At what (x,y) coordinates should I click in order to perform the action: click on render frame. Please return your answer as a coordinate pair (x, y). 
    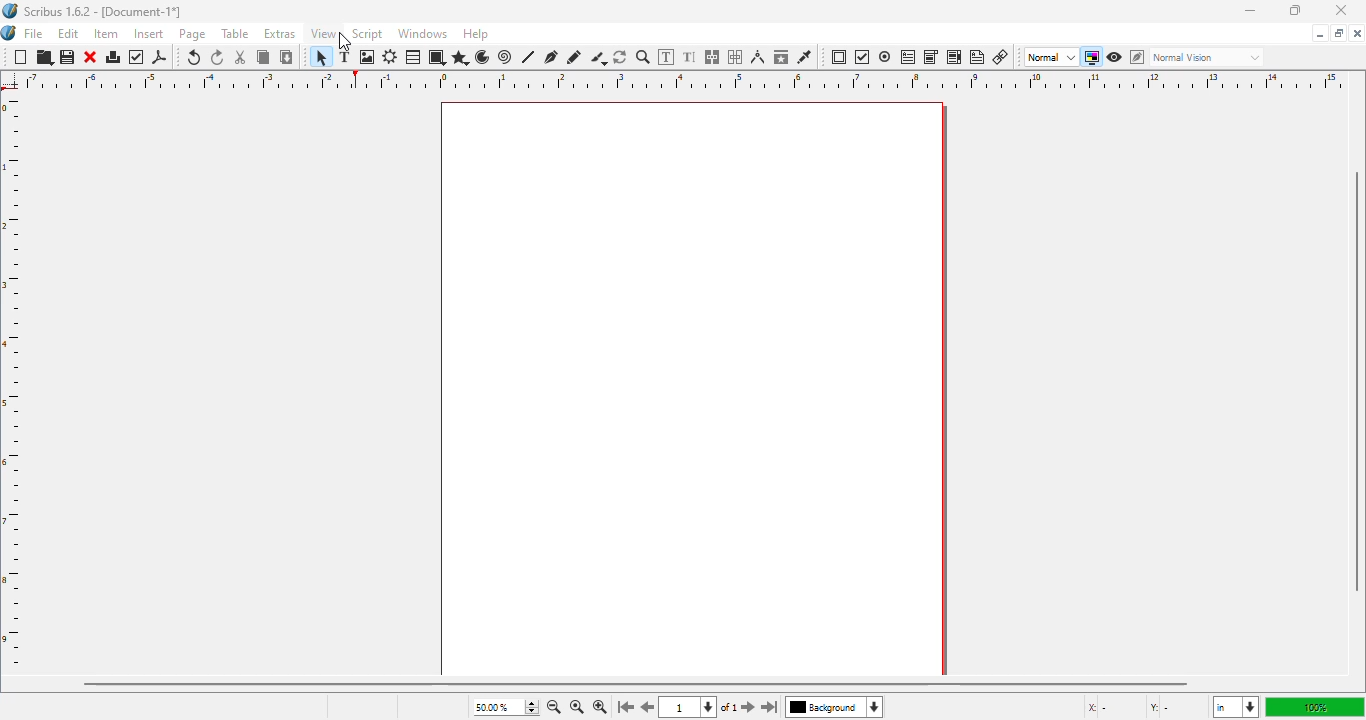
    Looking at the image, I should click on (390, 57).